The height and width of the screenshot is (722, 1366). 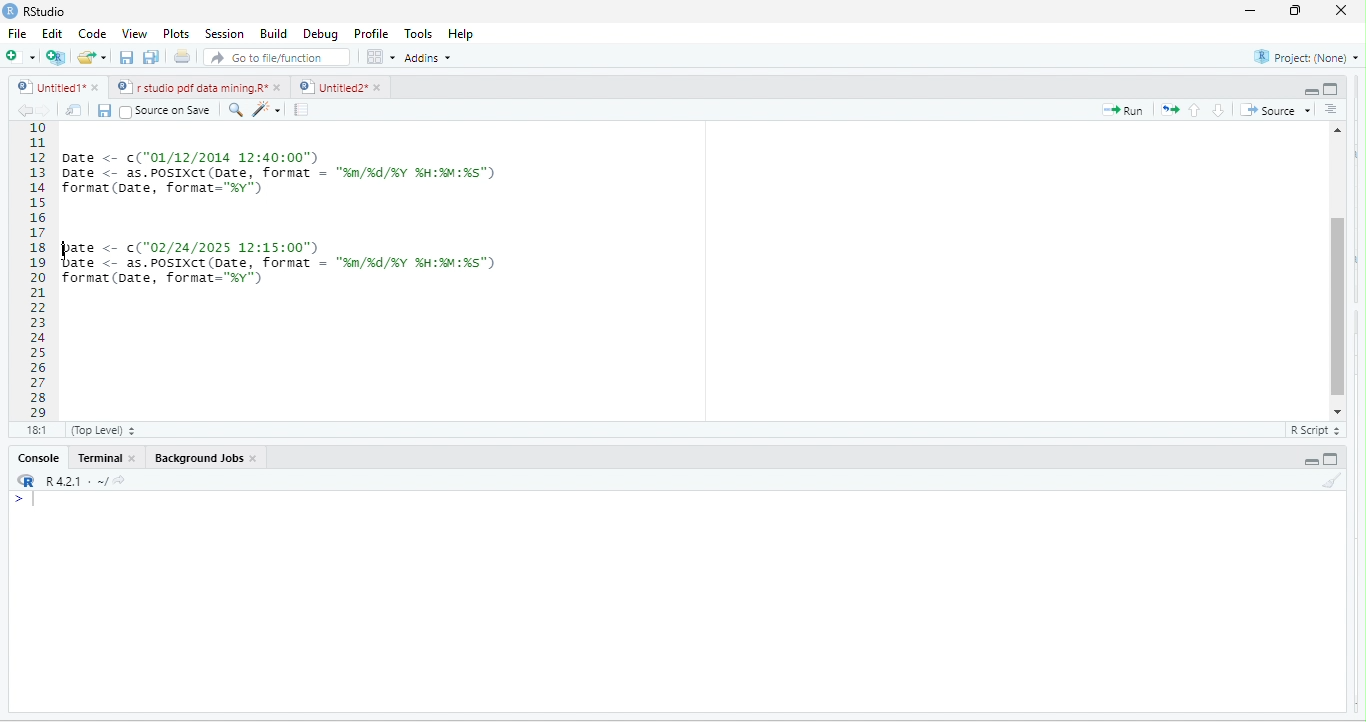 What do you see at coordinates (35, 431) in the screenshot?
I see `181` at bounding box center [35, 431].